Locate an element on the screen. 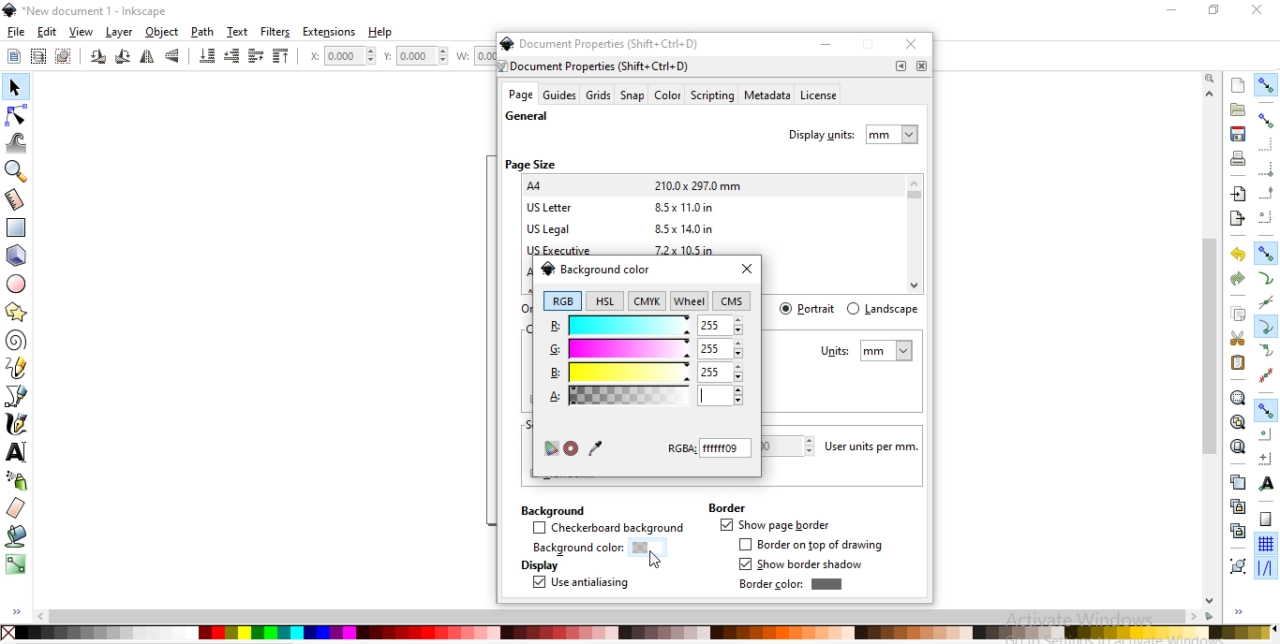  close is located at coordinates (1258, 10).